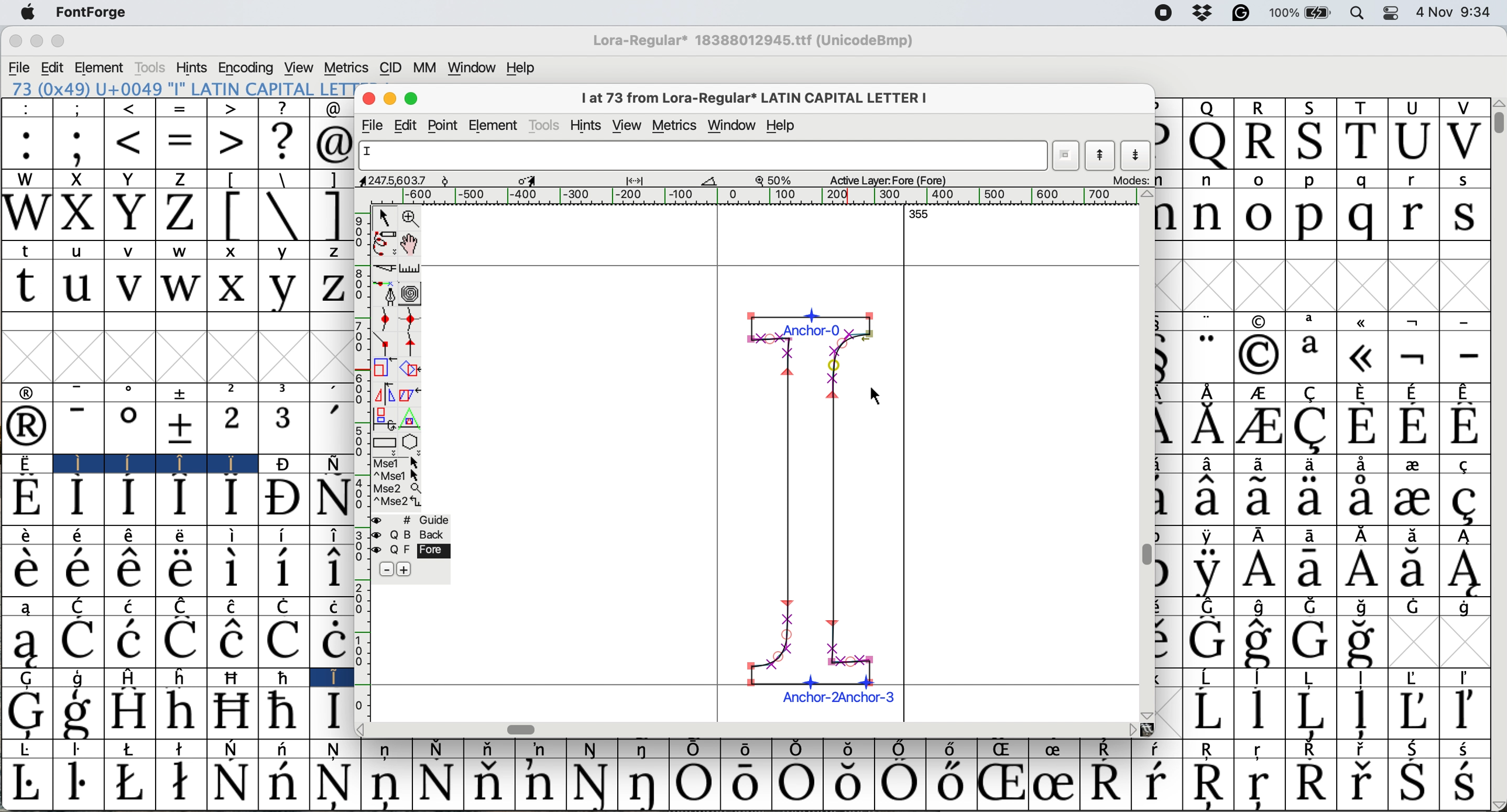  Describe the element at coordinates (1411, 180) in the screenshot. I see `r` at that location.